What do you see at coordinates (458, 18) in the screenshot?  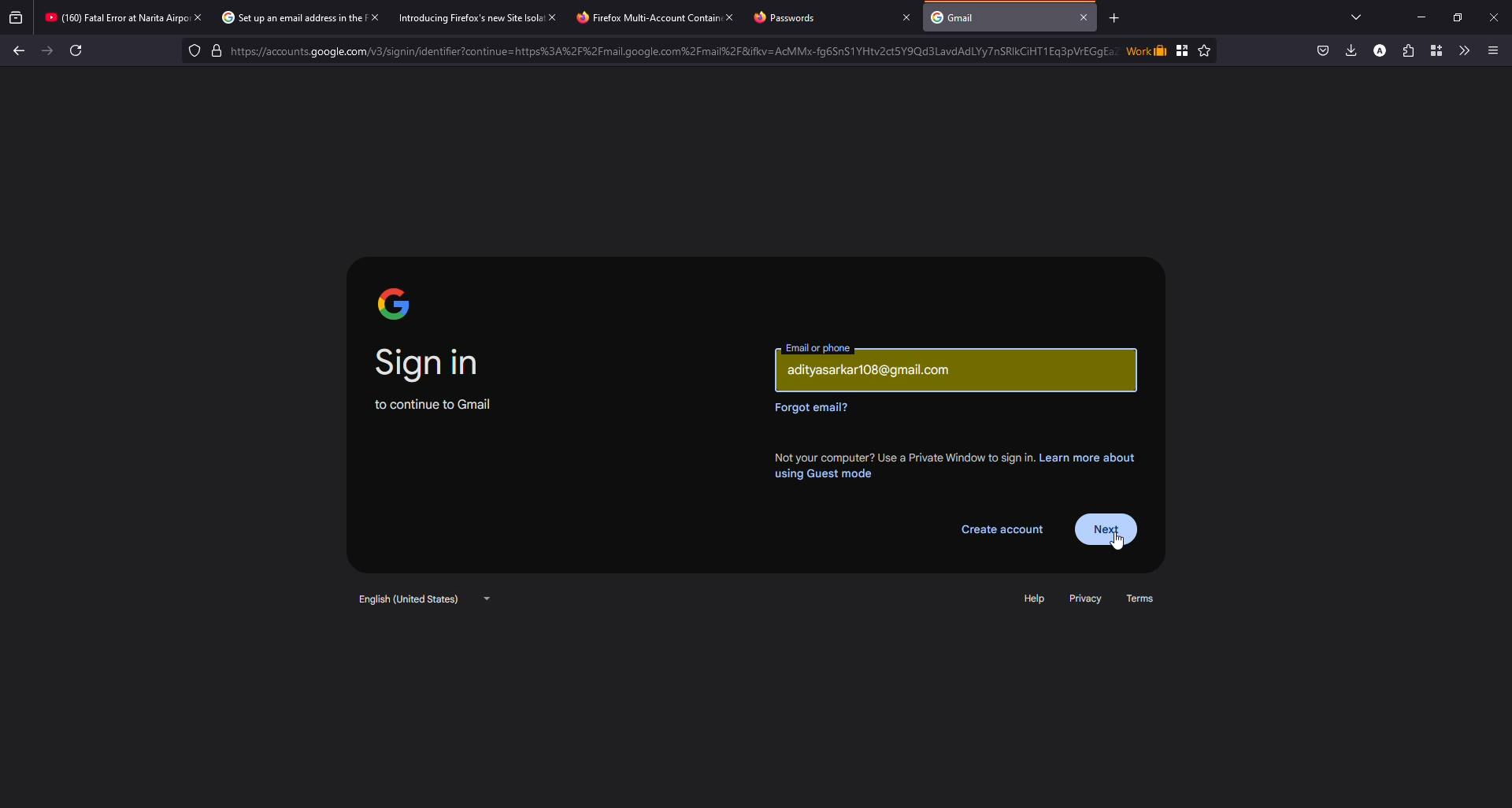 I see `Introducing Firefox's new Site` at bounding box center [458, 18].